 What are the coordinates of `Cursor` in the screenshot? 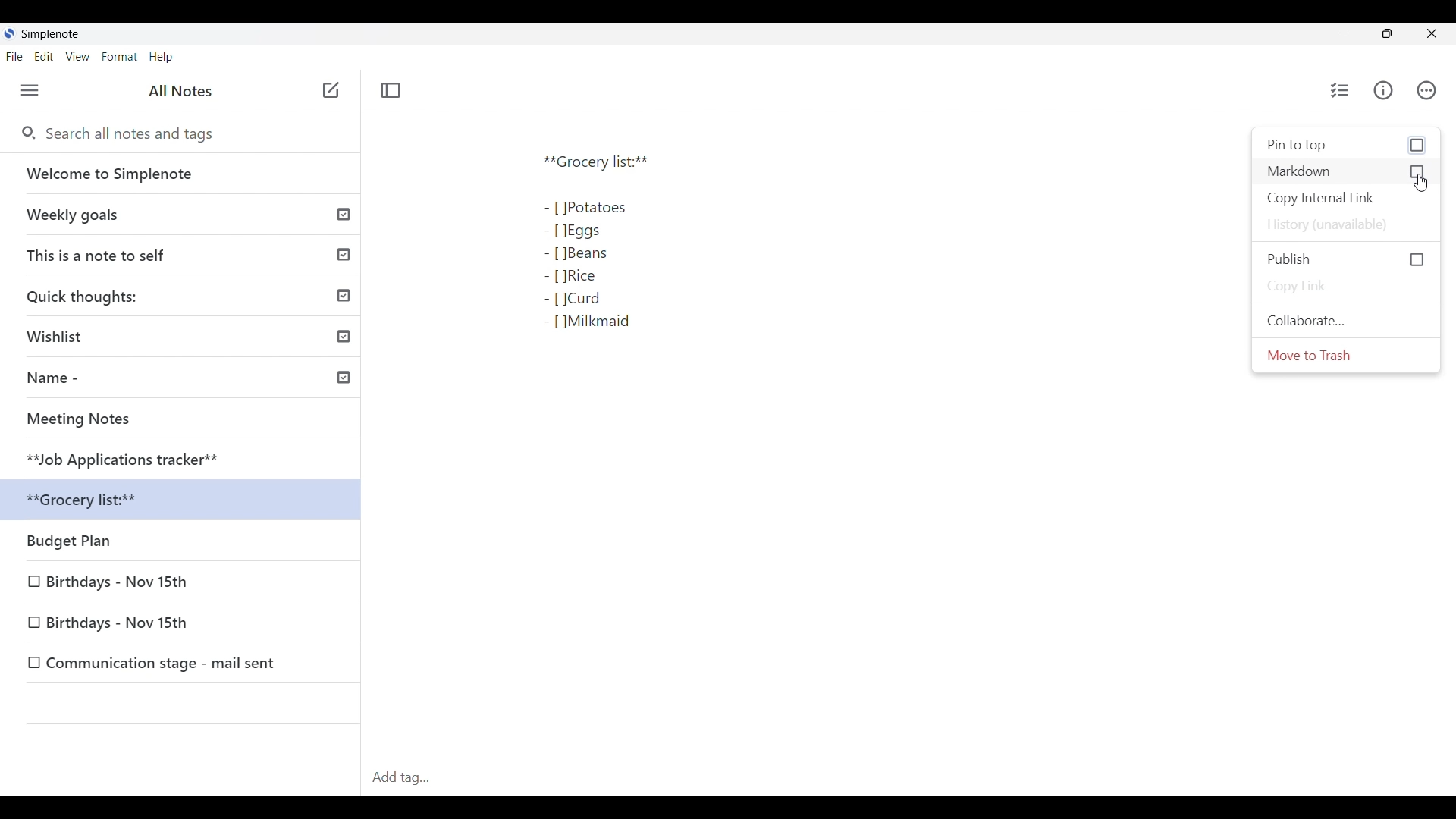 It's located at (1423, 185).